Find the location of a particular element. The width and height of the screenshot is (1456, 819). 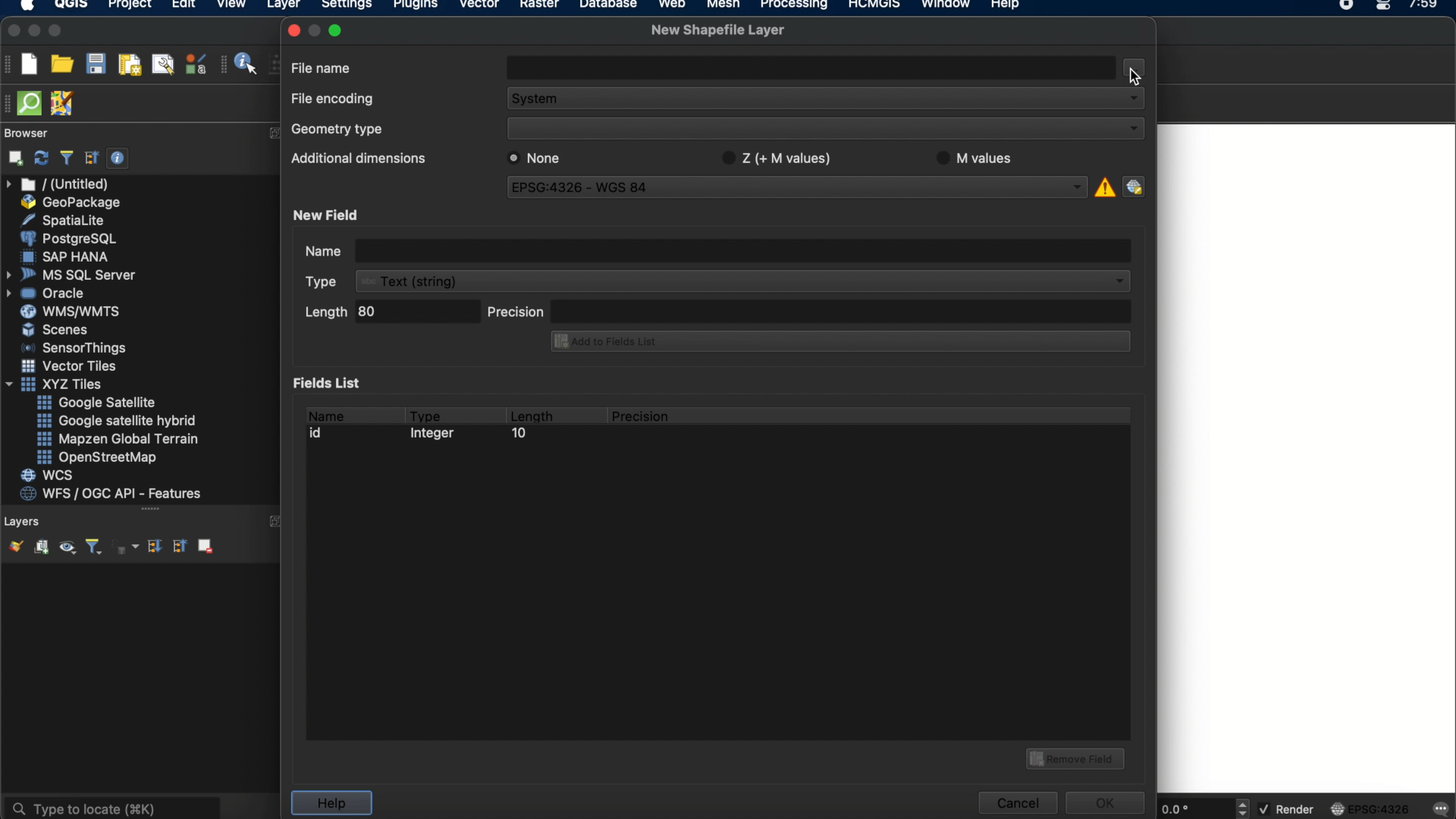

show layout is located at coordinates (163, 64).